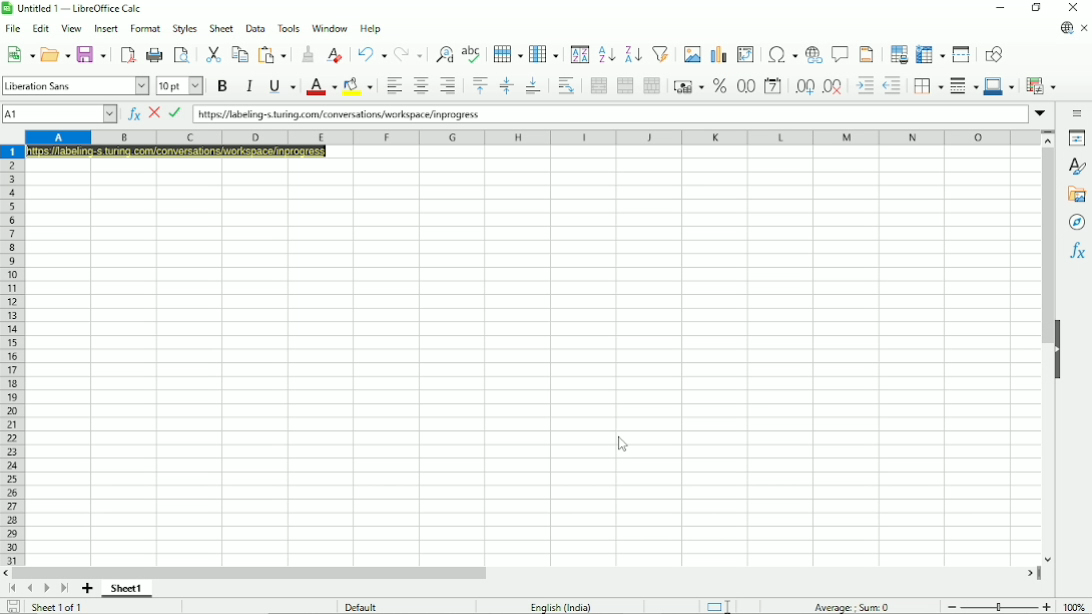 The height and width of the screenshot is (614, 1092). What do you see at coordinates (688, 87) in the screenshot?
I see `Format as currency` at bounding box center [688, 87].